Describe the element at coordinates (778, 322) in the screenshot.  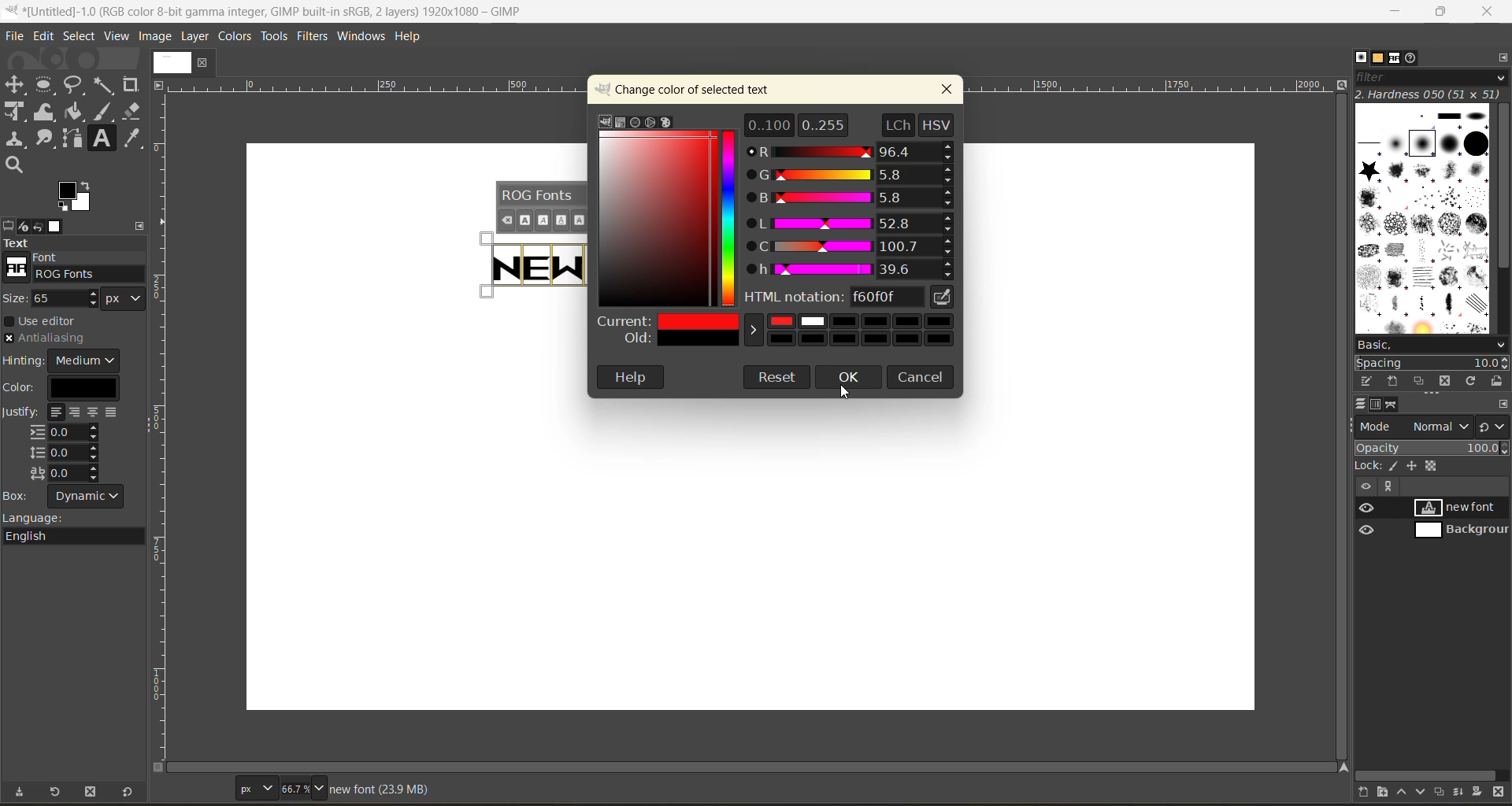
I see `changed current color` at that location.